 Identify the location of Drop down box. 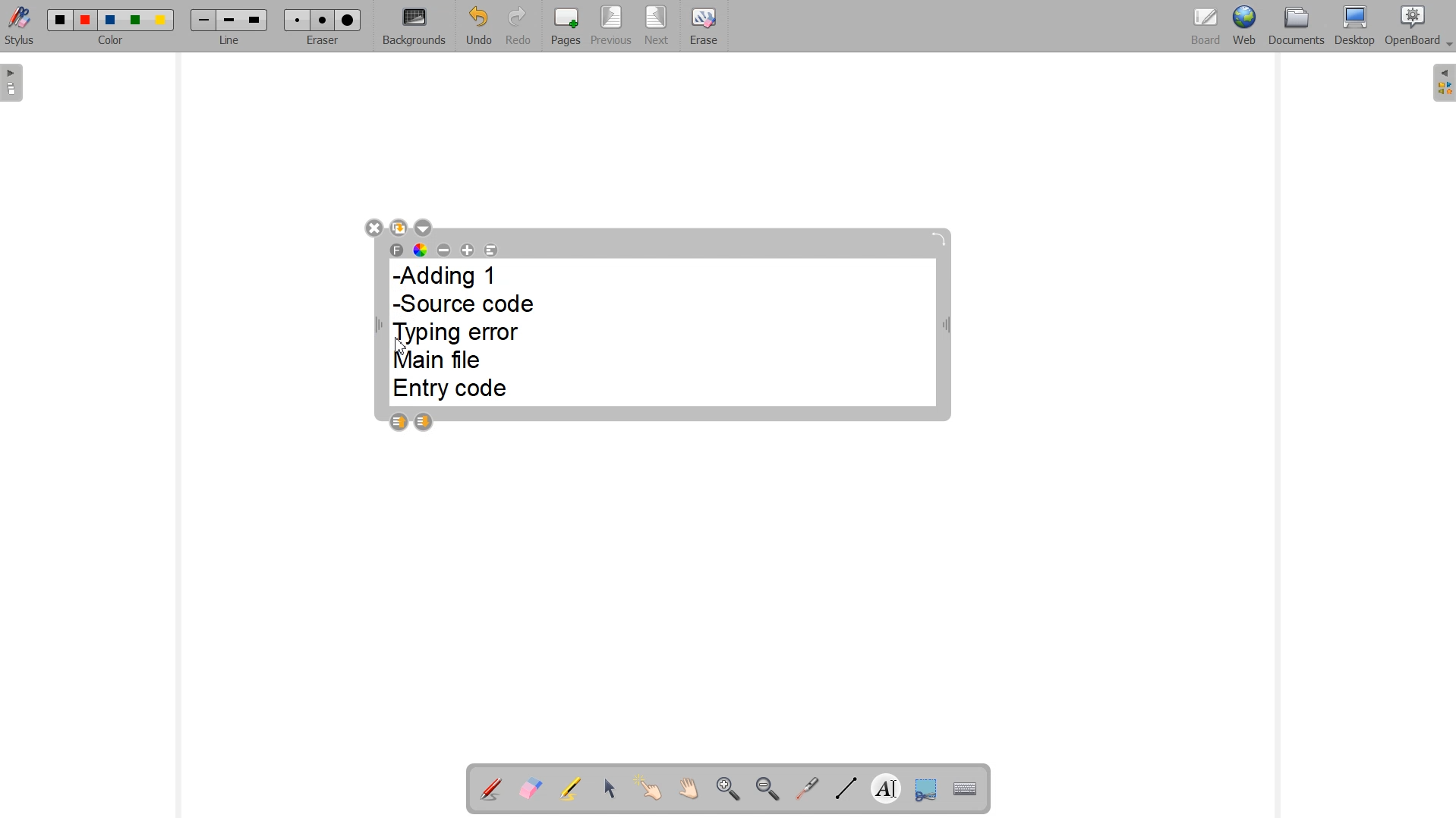
(425, 228).